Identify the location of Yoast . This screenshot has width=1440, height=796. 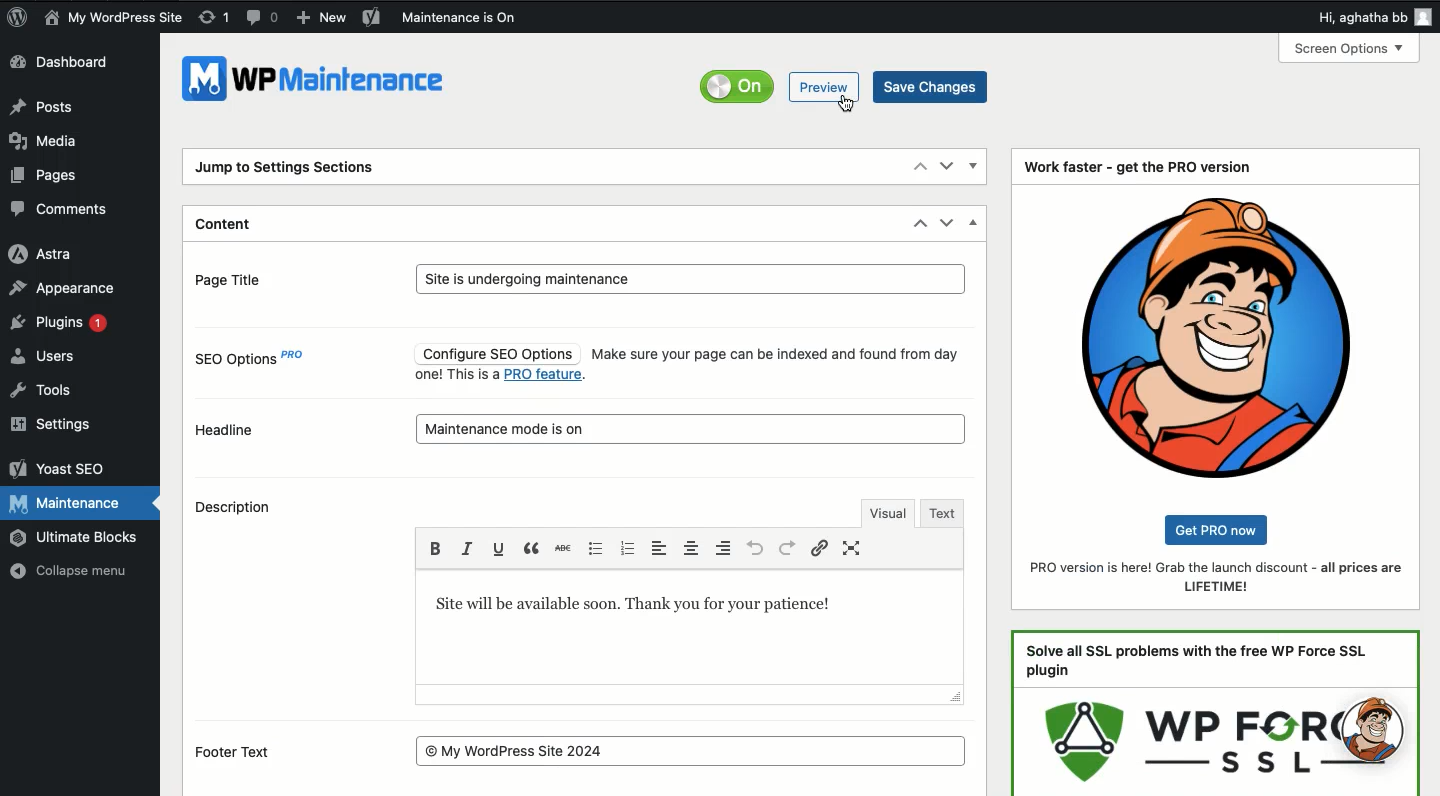
(373, 17).